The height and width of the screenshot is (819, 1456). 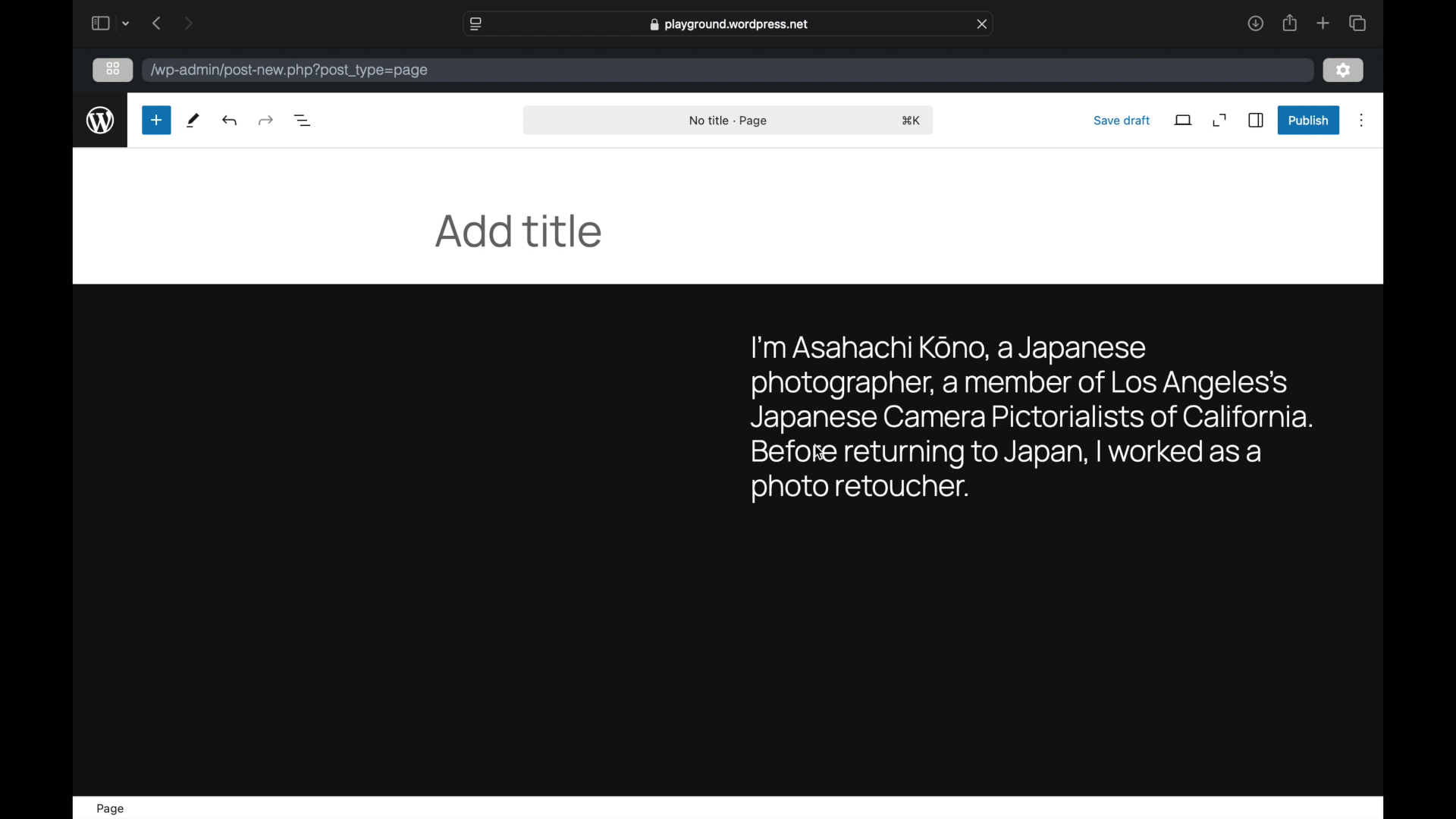 What do you see at coordinates (1256, 120) in the screenshot?
I see `sidebar` at bounding box center [1256, 120].